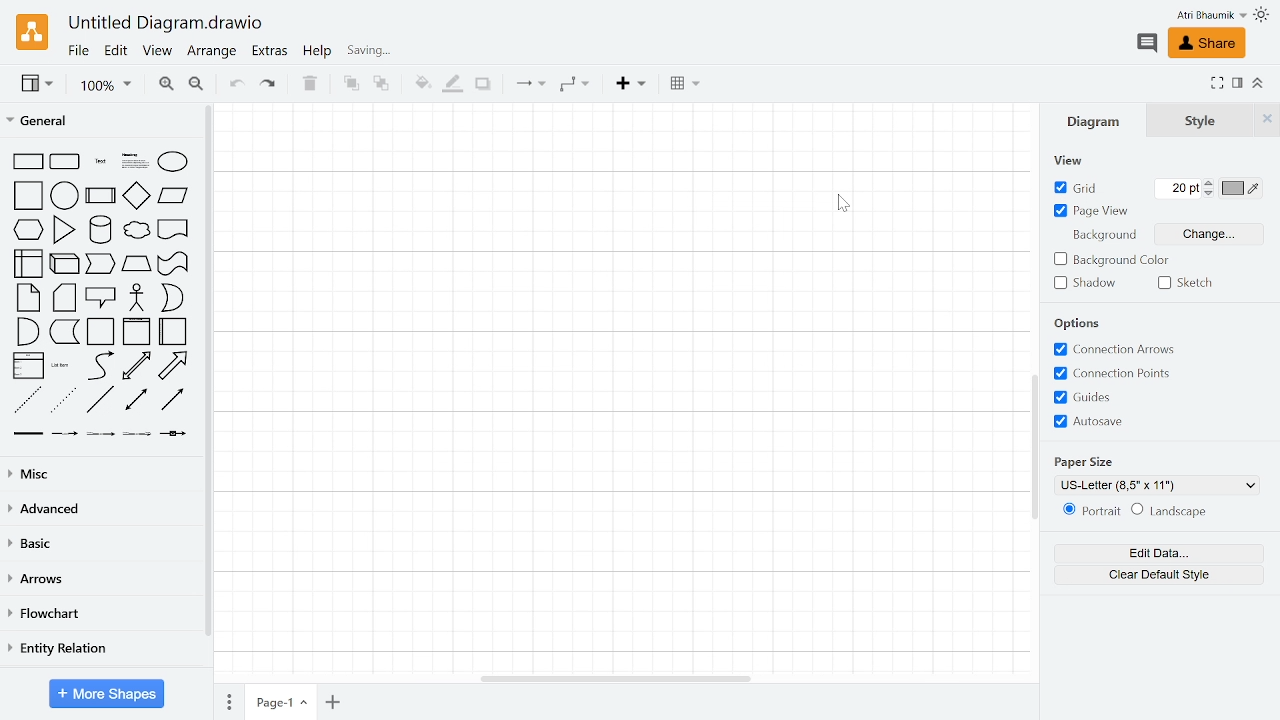 This screenshot has width=1280, height=720. What do you see at coordinates (1184, 283) in the screenshot?
I see `Sketch` at bounding box center [1184, 283].